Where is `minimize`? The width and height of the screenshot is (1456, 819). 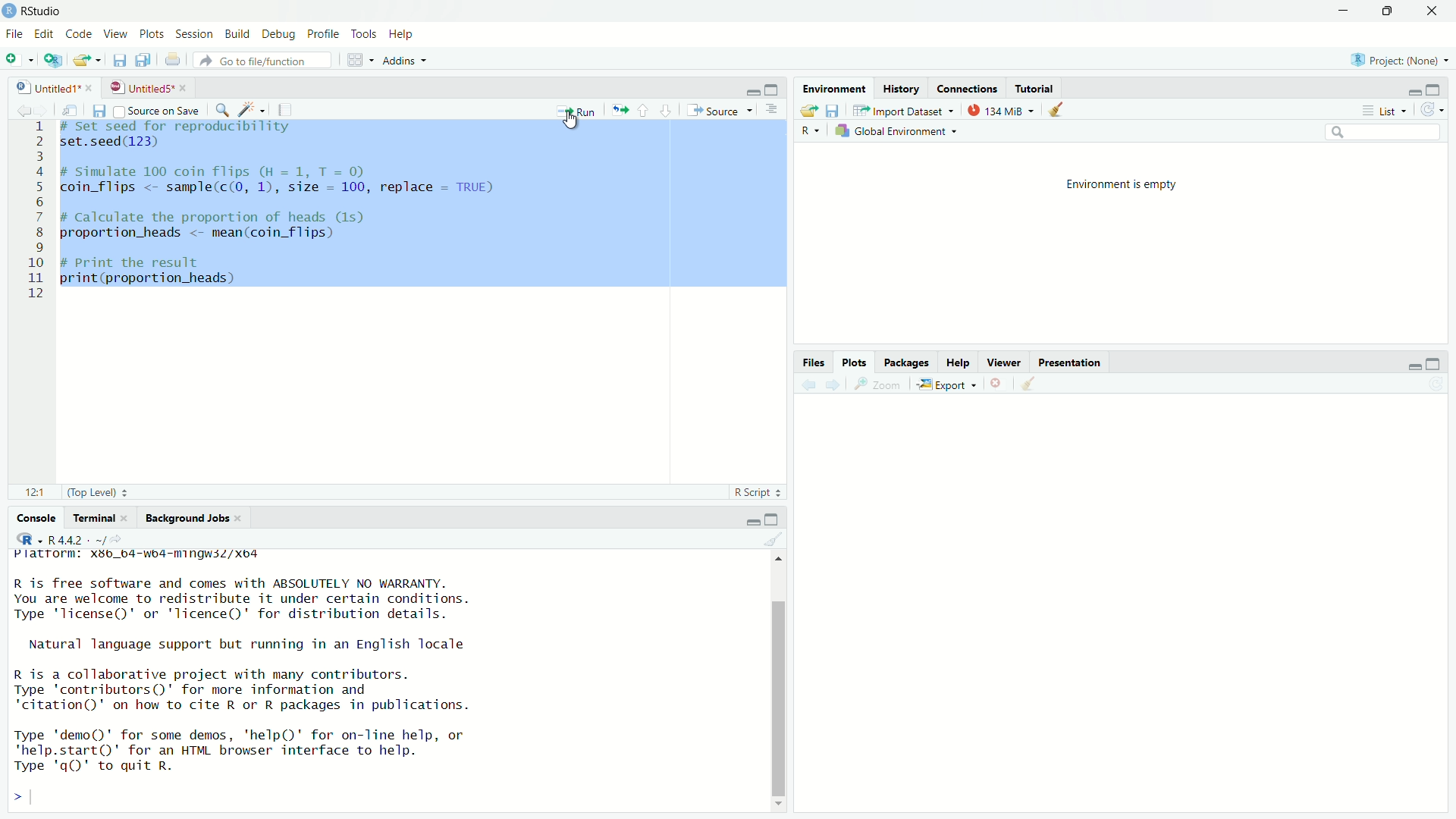
minimize is located at coordinates (748, 89).